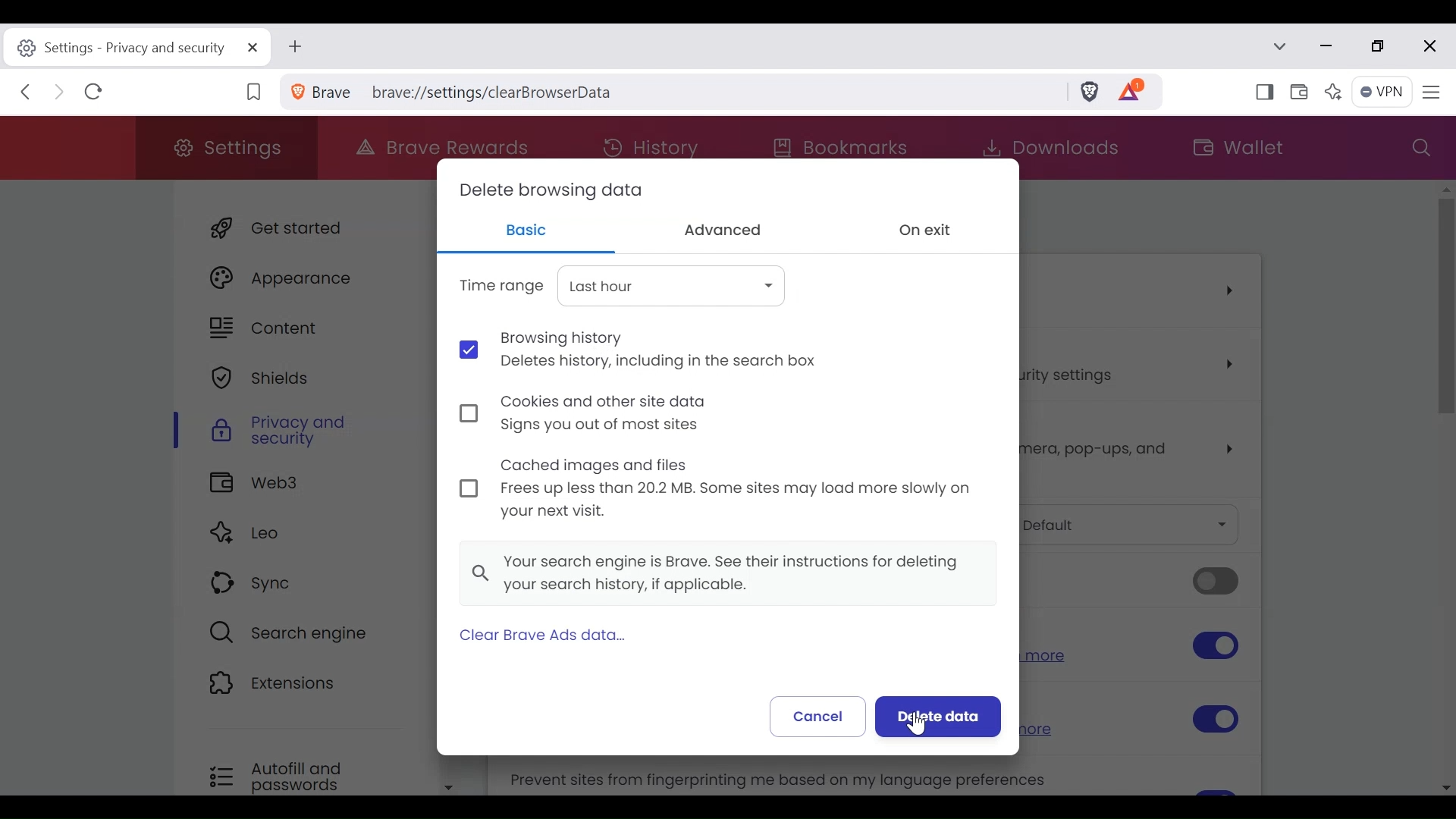  Describe the element at coordinates (1094, 93) in the screenshot. I see `Brave Shields` at that location.